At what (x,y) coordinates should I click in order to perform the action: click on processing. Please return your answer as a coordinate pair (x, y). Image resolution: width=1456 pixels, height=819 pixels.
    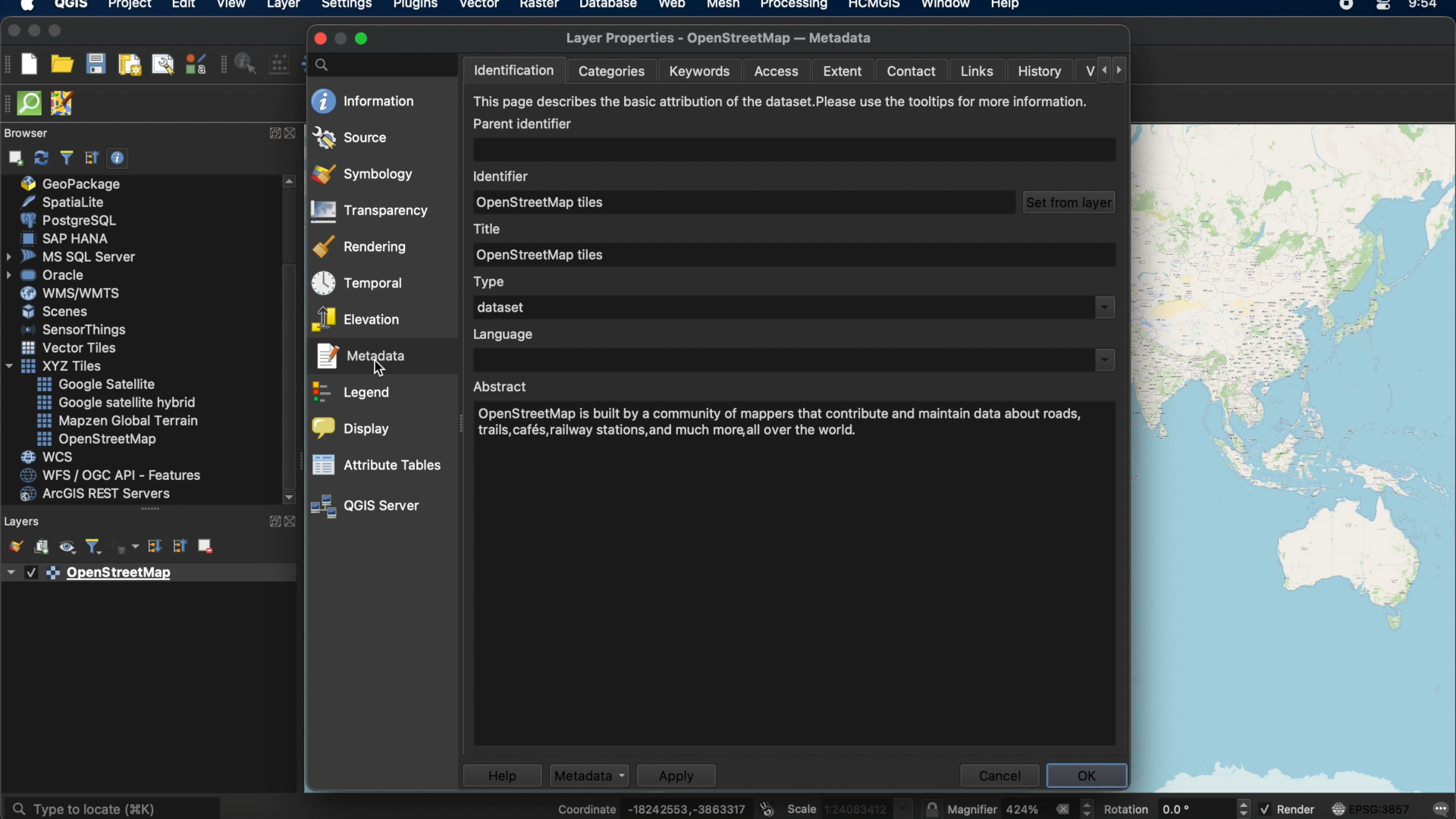
    Looking at the image, I should click on (795, 6).